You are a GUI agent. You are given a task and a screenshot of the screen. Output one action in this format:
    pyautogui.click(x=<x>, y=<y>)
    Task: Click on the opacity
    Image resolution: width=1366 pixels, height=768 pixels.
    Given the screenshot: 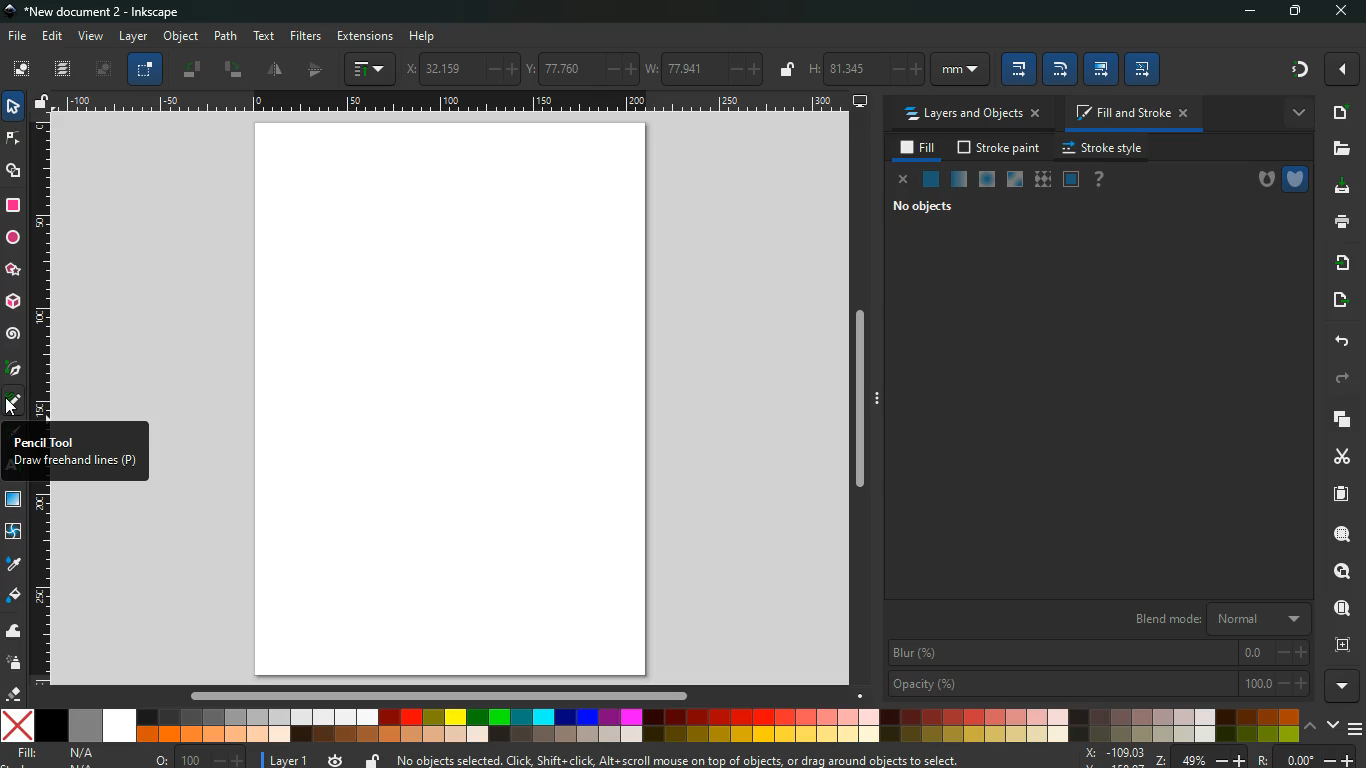 What is the action you would take?
    pyautogui.click(x=958, y=178)
    